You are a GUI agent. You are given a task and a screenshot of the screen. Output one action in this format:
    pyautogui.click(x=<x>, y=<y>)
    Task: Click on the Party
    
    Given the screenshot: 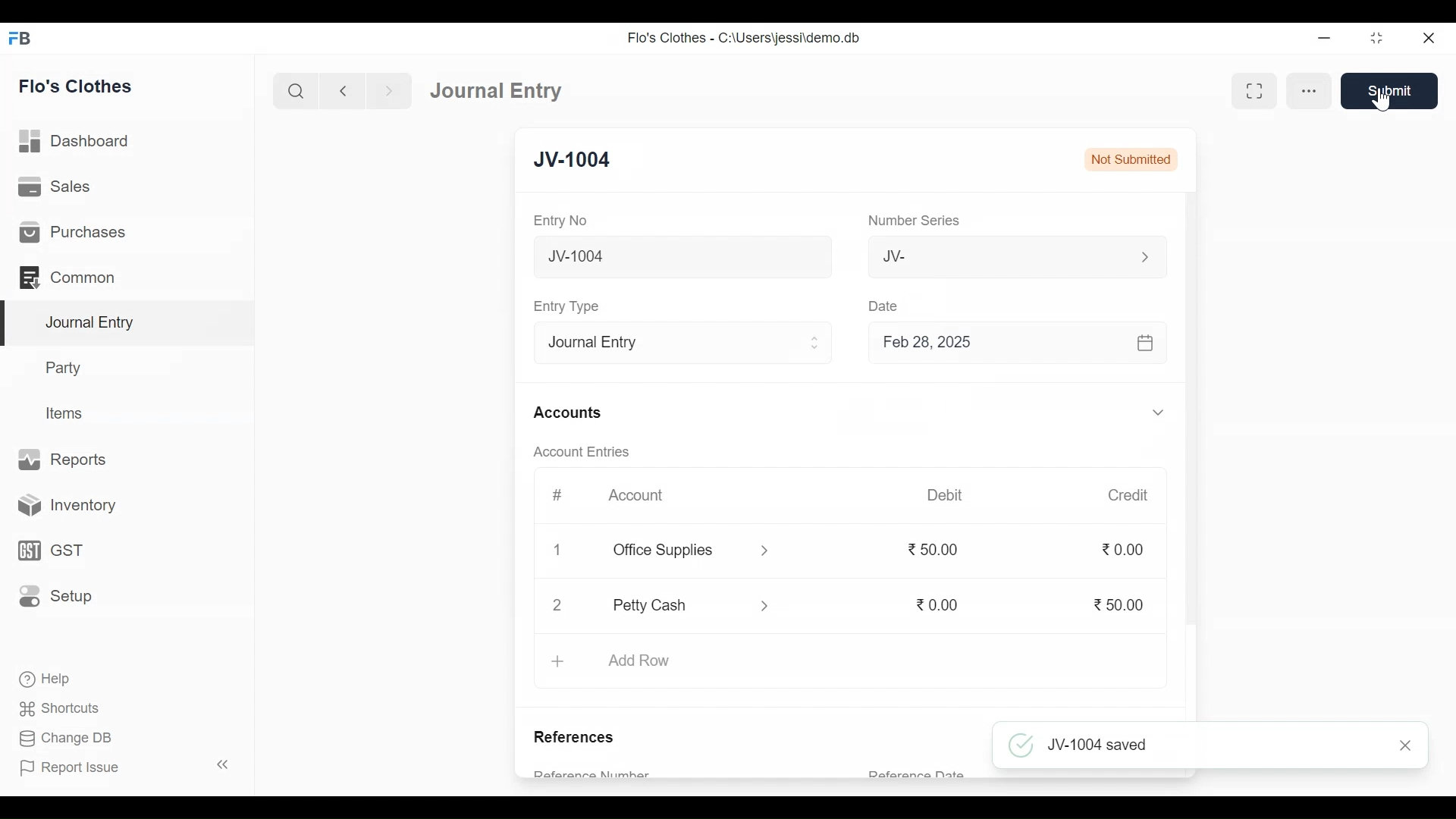 What is the action you would take?
    pyautogui.click(x=66, y=367)
    